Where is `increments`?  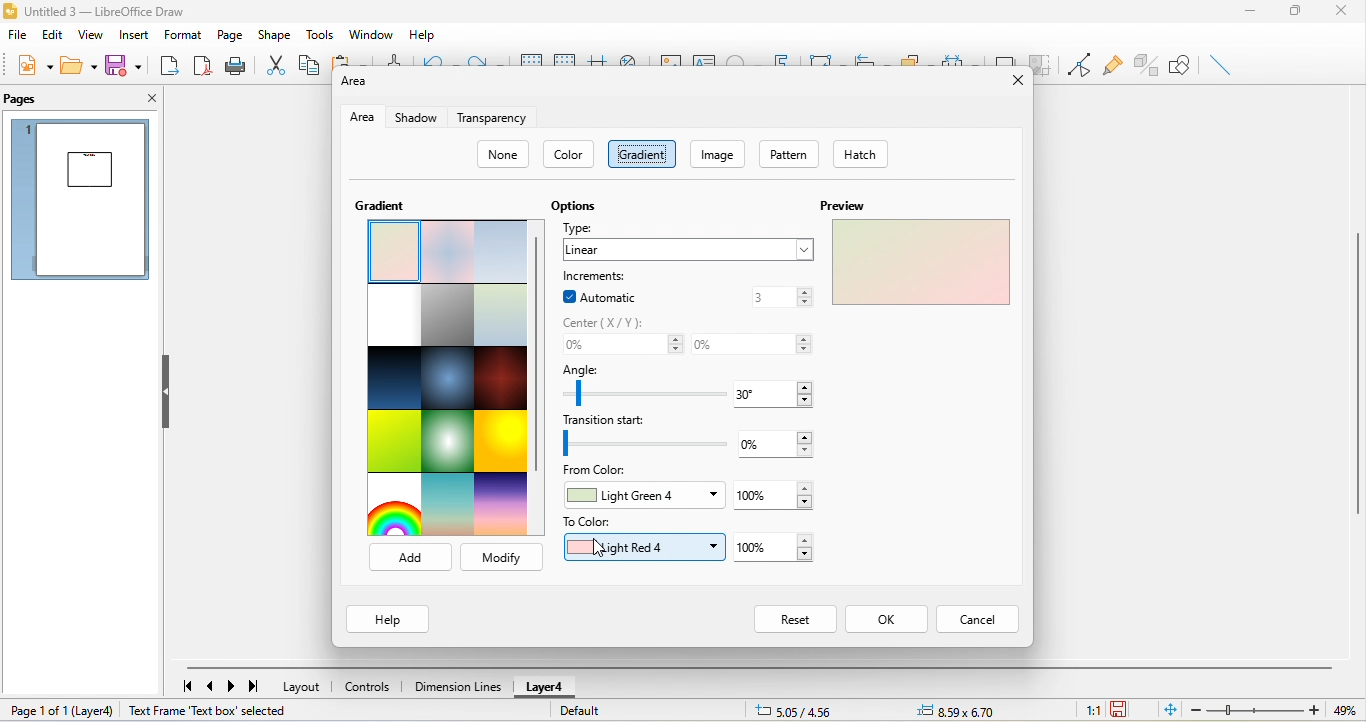
increments is located at coordinates (596, 276).